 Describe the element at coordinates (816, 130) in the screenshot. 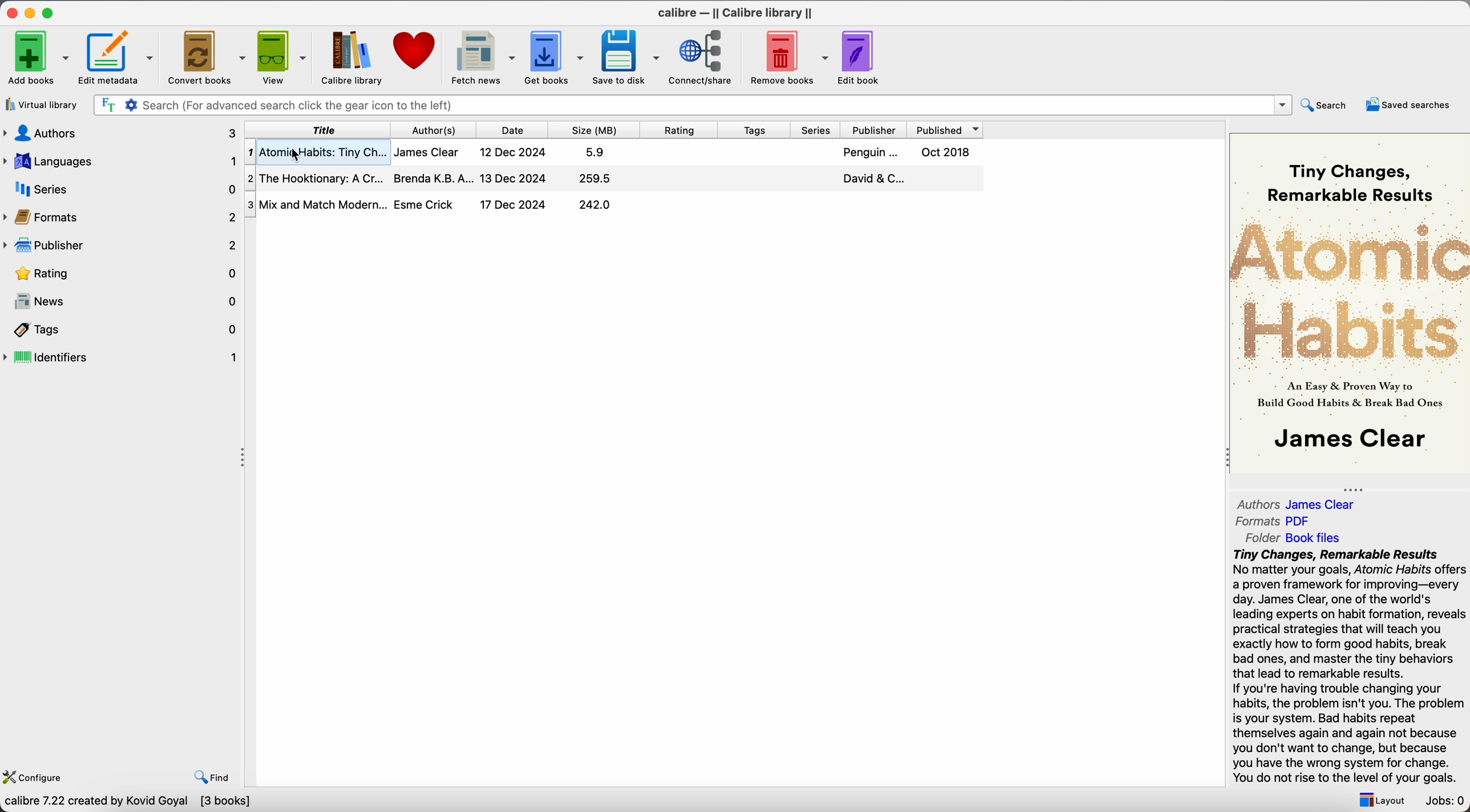

I see `series` at that location.